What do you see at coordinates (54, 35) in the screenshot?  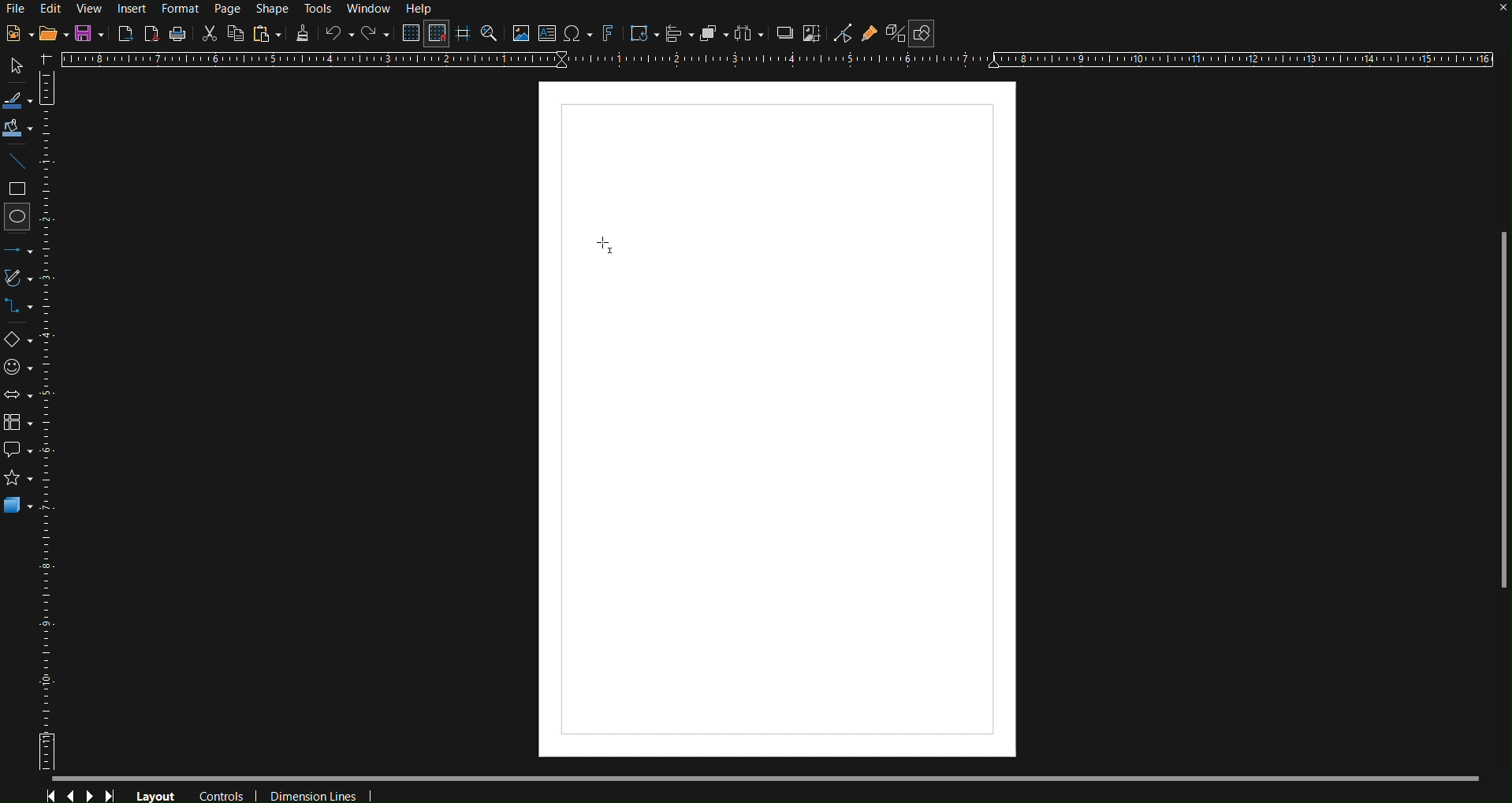 I see `Open` at bounding box center [54, 35].